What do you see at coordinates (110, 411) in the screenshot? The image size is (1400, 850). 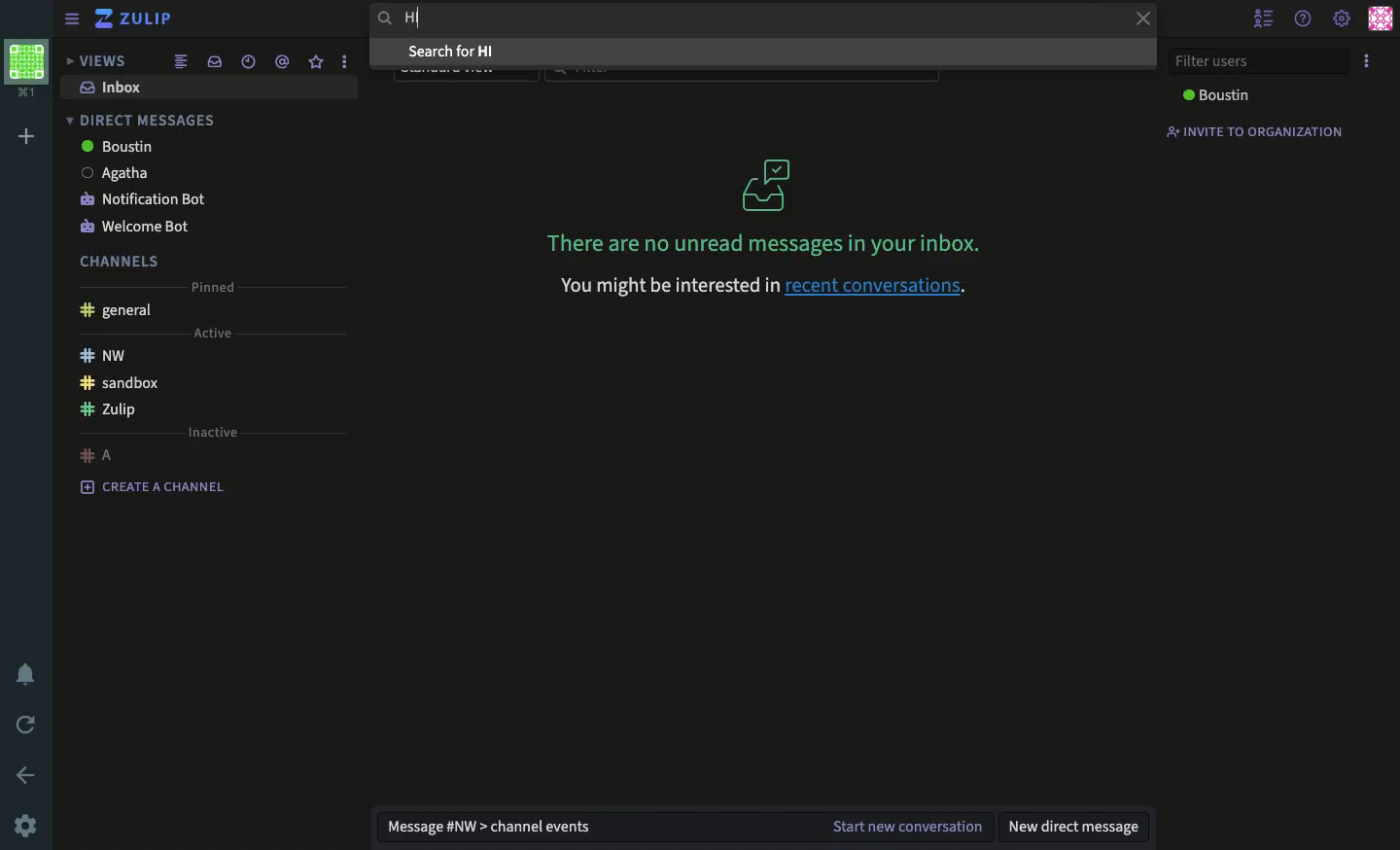 I see `Zulip` at bounding box center [110, 411].